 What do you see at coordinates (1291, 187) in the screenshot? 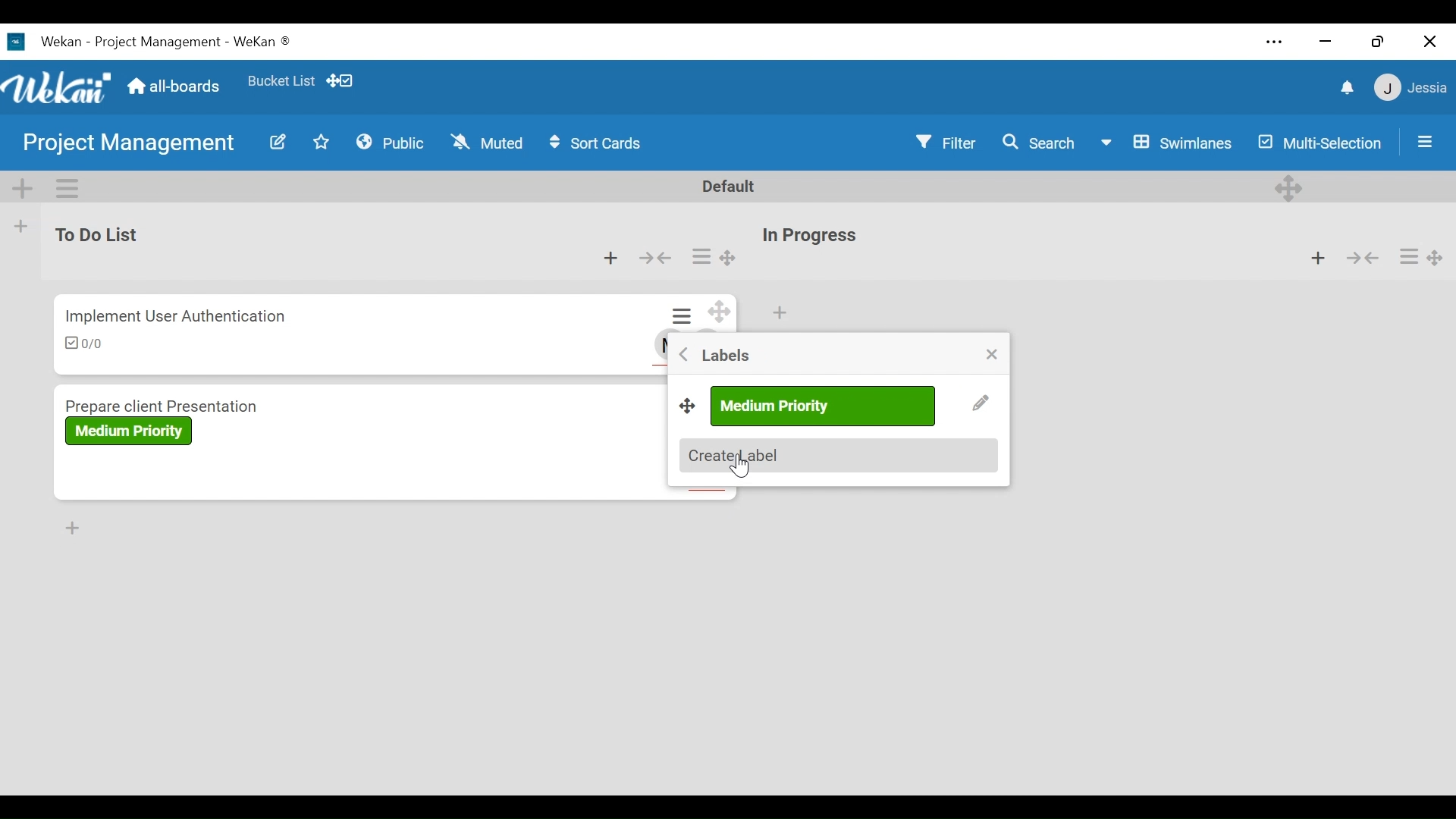
I see `Desktop drag handles` at bounding box center [1291, 187].